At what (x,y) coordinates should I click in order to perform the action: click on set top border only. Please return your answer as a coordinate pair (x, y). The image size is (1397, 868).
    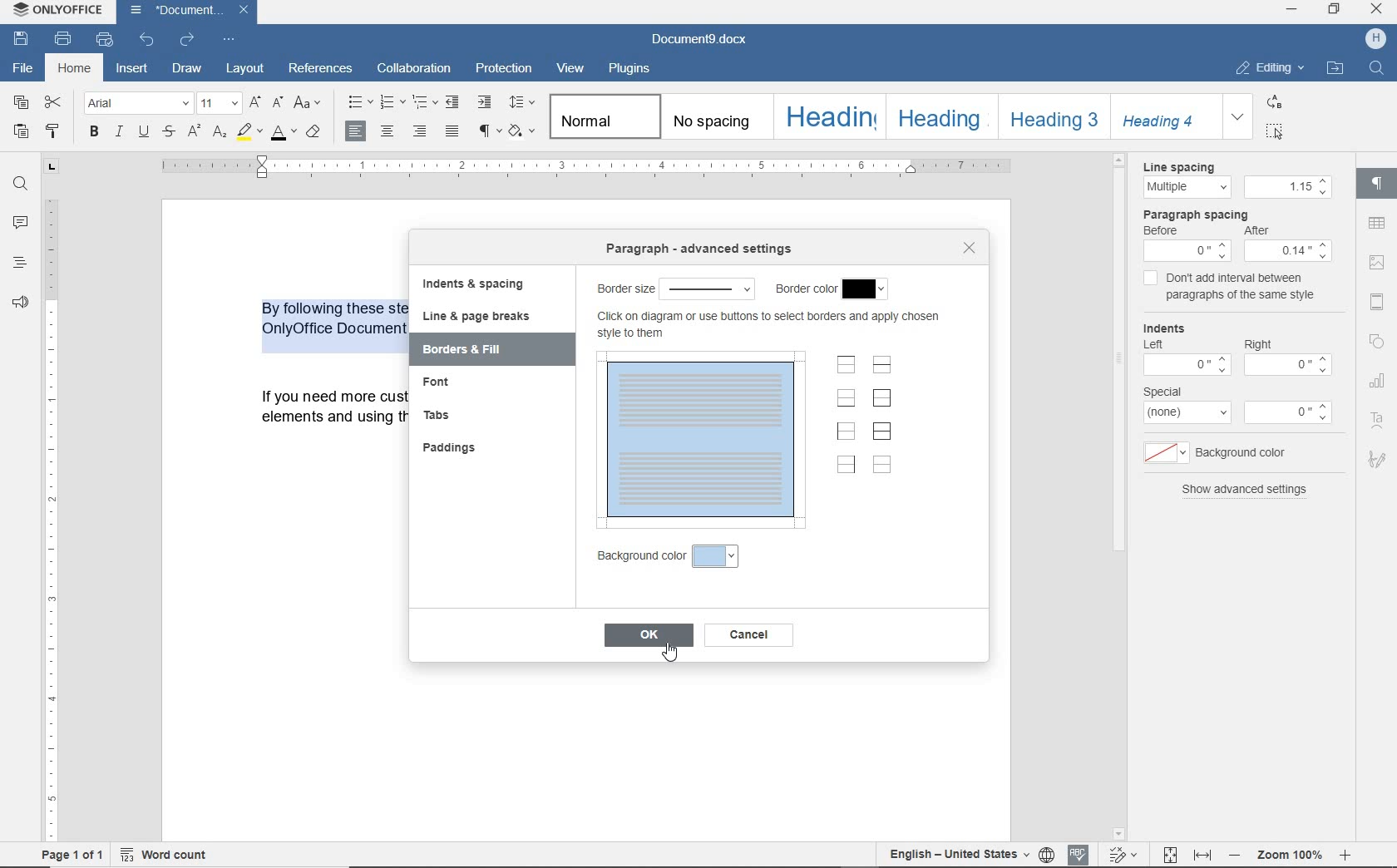
    Looking at the image, I should click on (847, 365).